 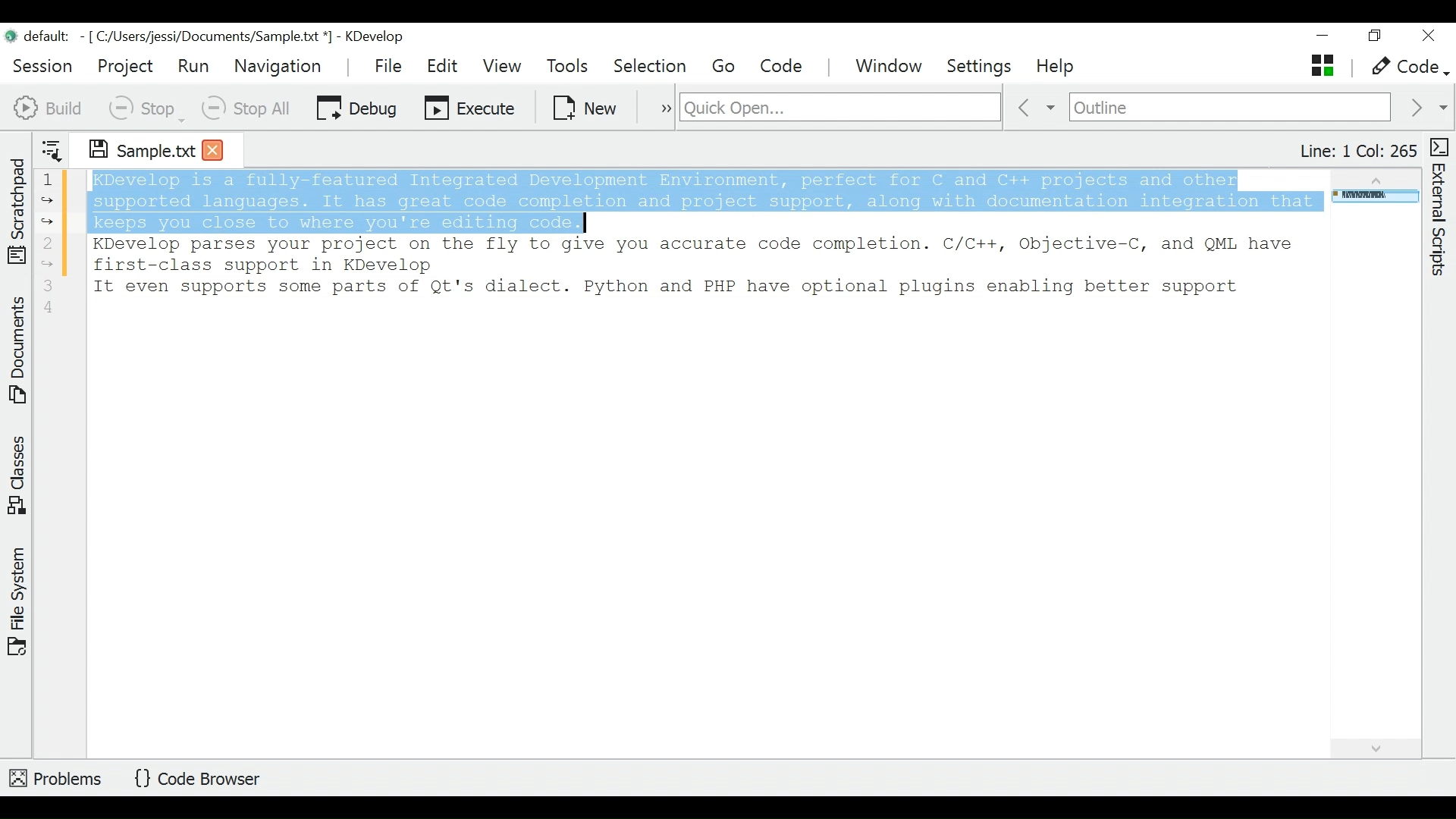 What do you see at coordinates (248, 108) in the screenshot?
I see `Stop All` at bounding box center [248, 108].